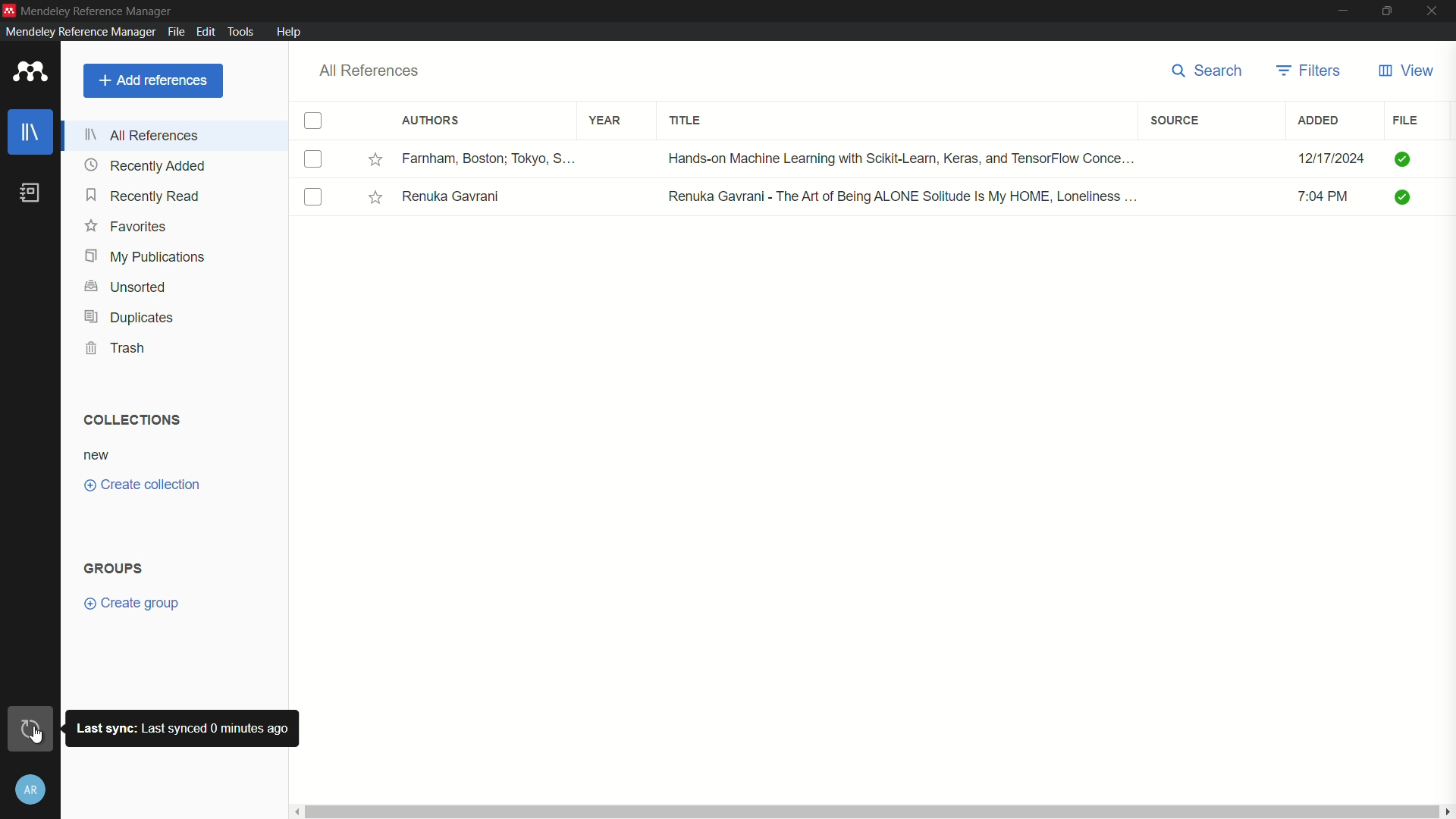 This screenshot has width=1456, height=819. I want to click on app name, so click(98, 10).